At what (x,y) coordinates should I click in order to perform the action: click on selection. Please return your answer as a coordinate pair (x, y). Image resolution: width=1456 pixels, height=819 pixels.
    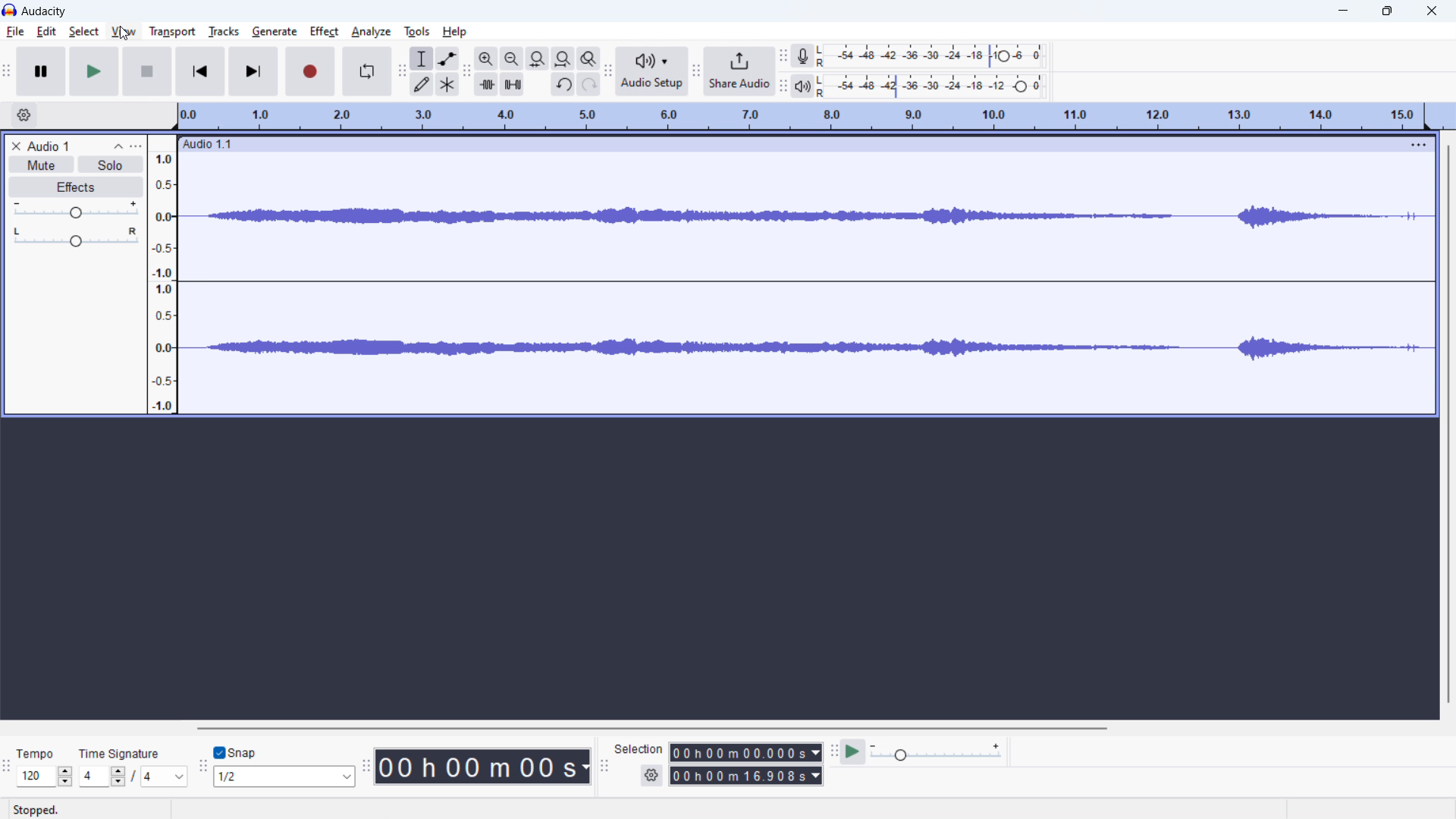
    Looking at the image, I should click on (639, 752).